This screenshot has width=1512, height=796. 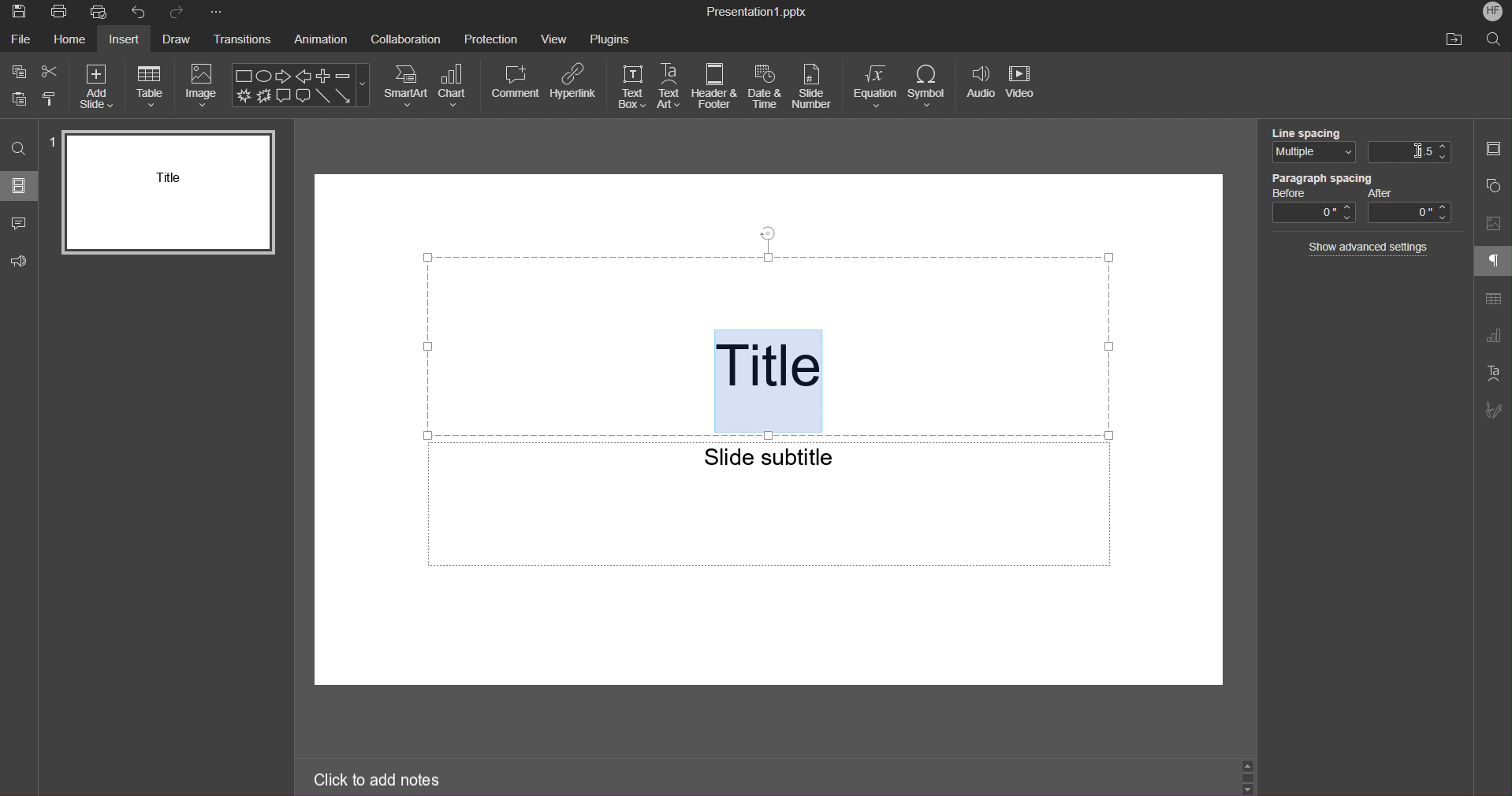 I want to click on Before, so click(x=1313, y=207).